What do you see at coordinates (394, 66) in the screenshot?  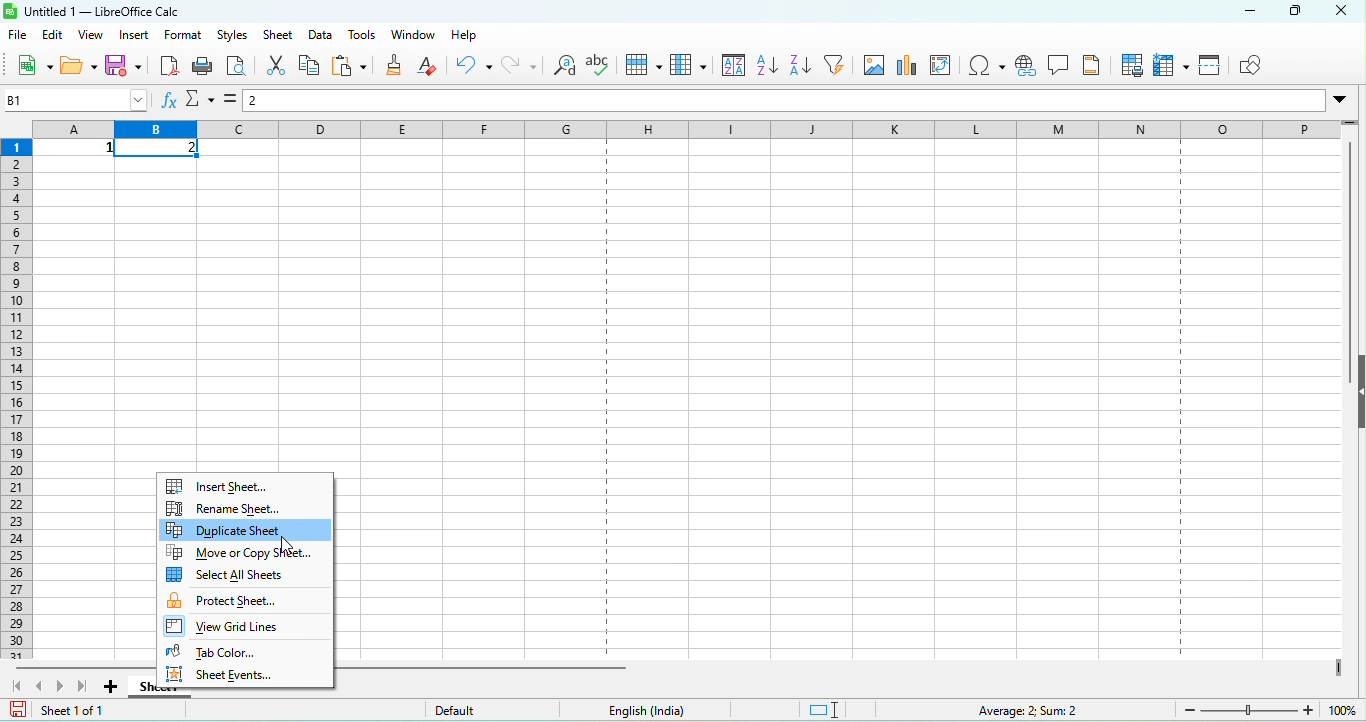 I see `clone formatting` at bounding box center [394, 66].